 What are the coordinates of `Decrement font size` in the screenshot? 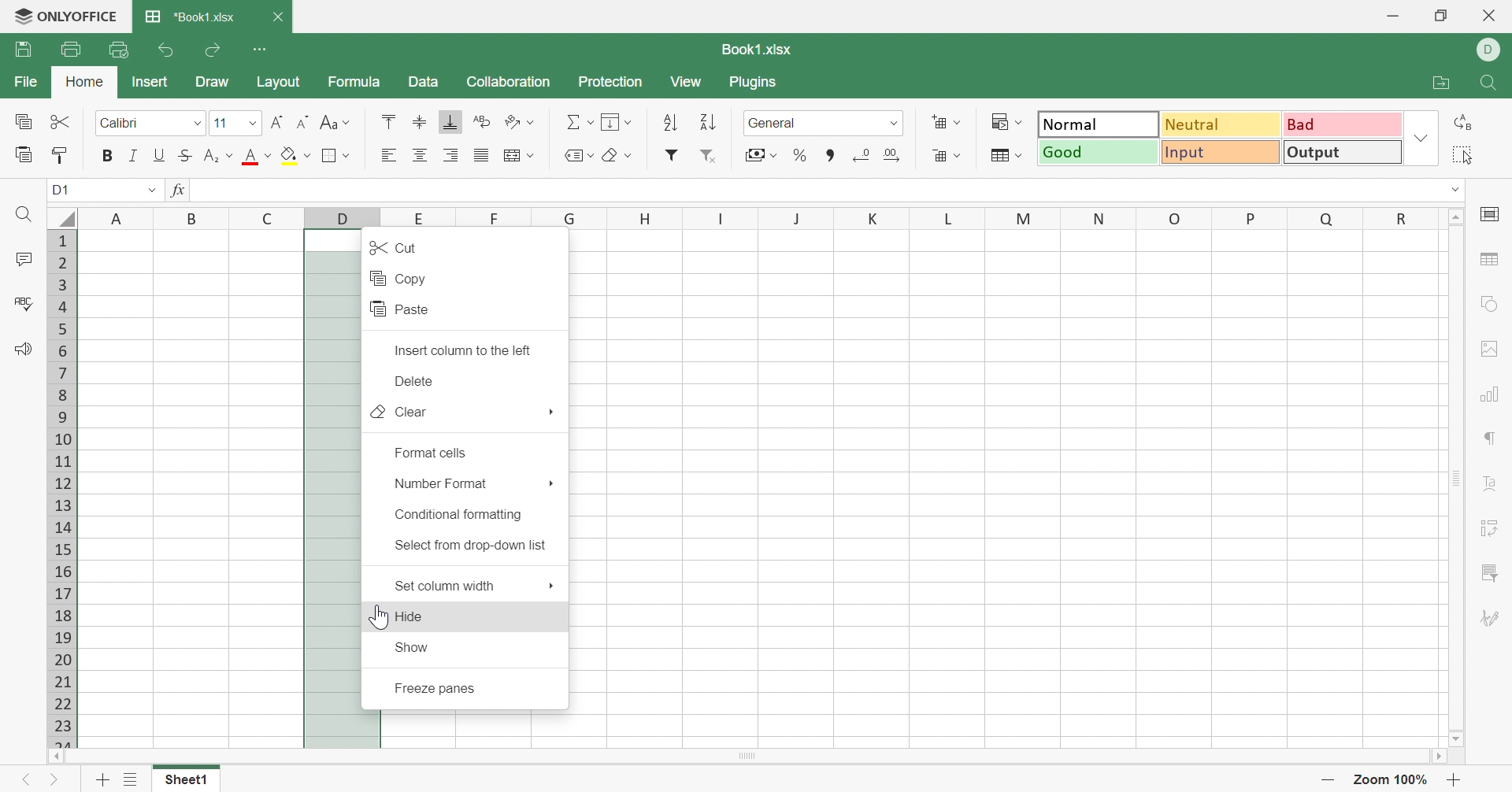 It's located at (303, 120).